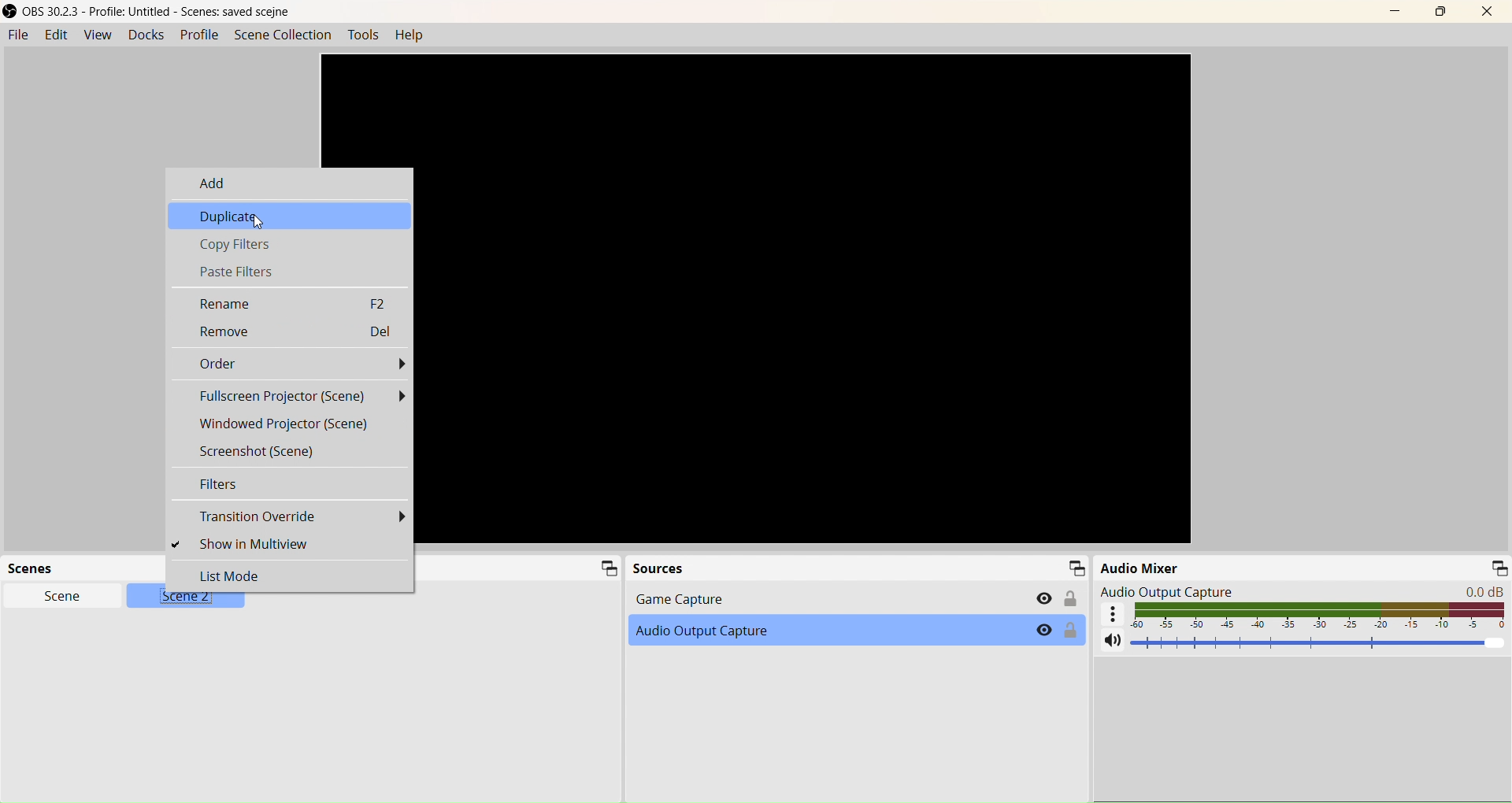 Image resolution: width=1512 pixels, height=803 pixels. Describe the element at coordinates (36, 568) in the screenshot. I see `Scene` at that location.